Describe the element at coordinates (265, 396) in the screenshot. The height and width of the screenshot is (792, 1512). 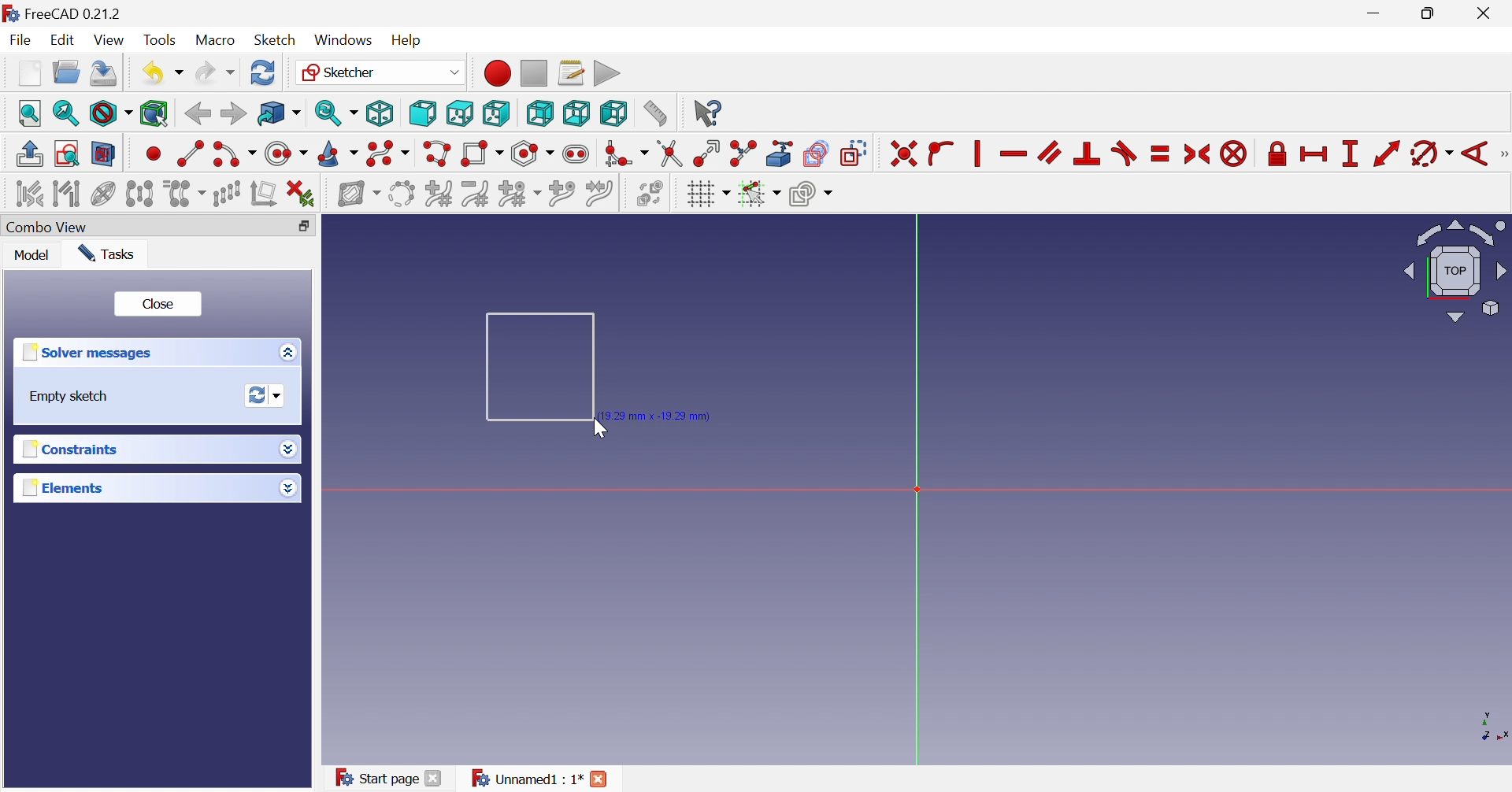
I see `Forces recomputation of active document` at that location.